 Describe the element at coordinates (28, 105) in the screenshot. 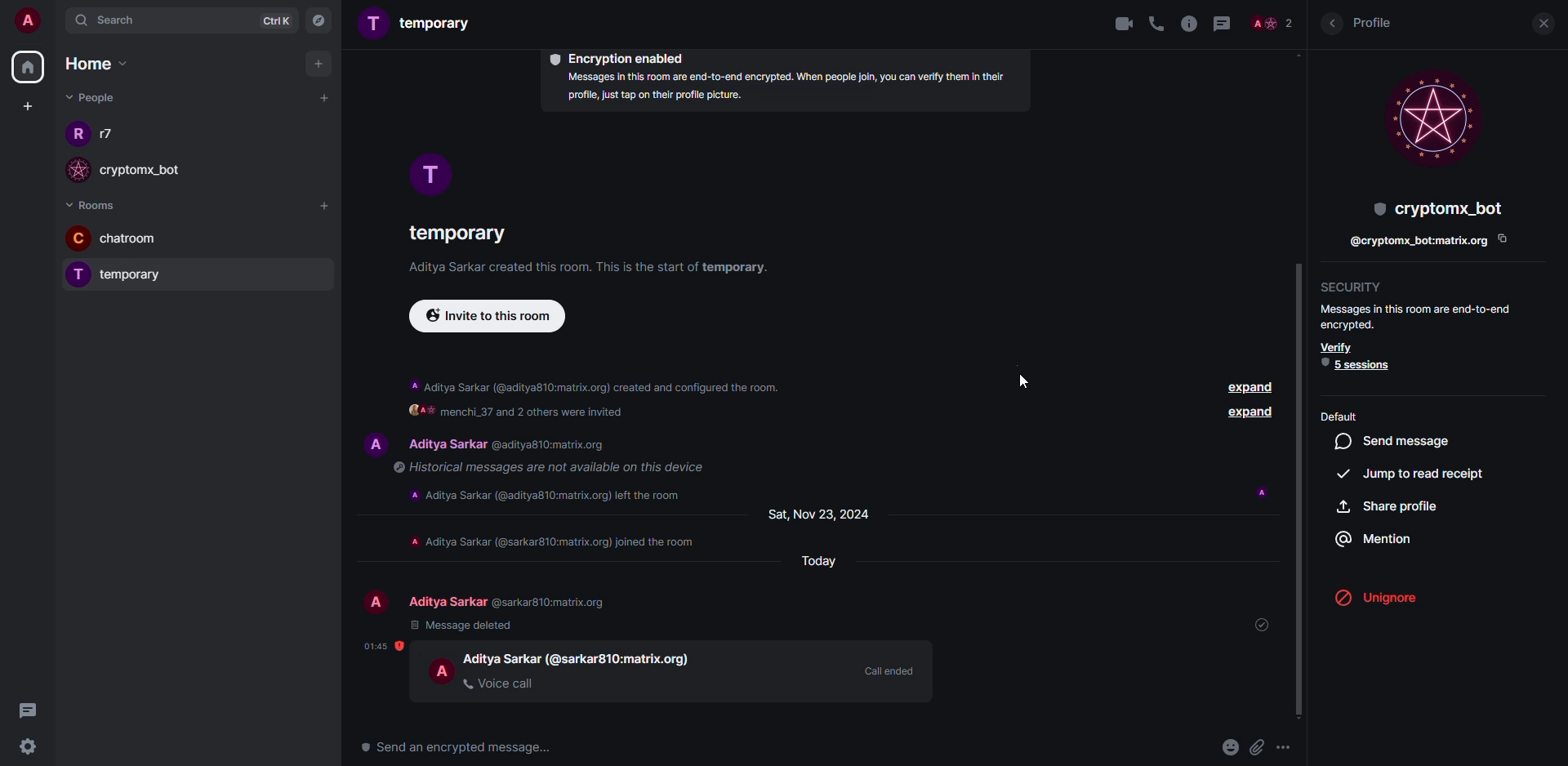

I see `create space` at that location.